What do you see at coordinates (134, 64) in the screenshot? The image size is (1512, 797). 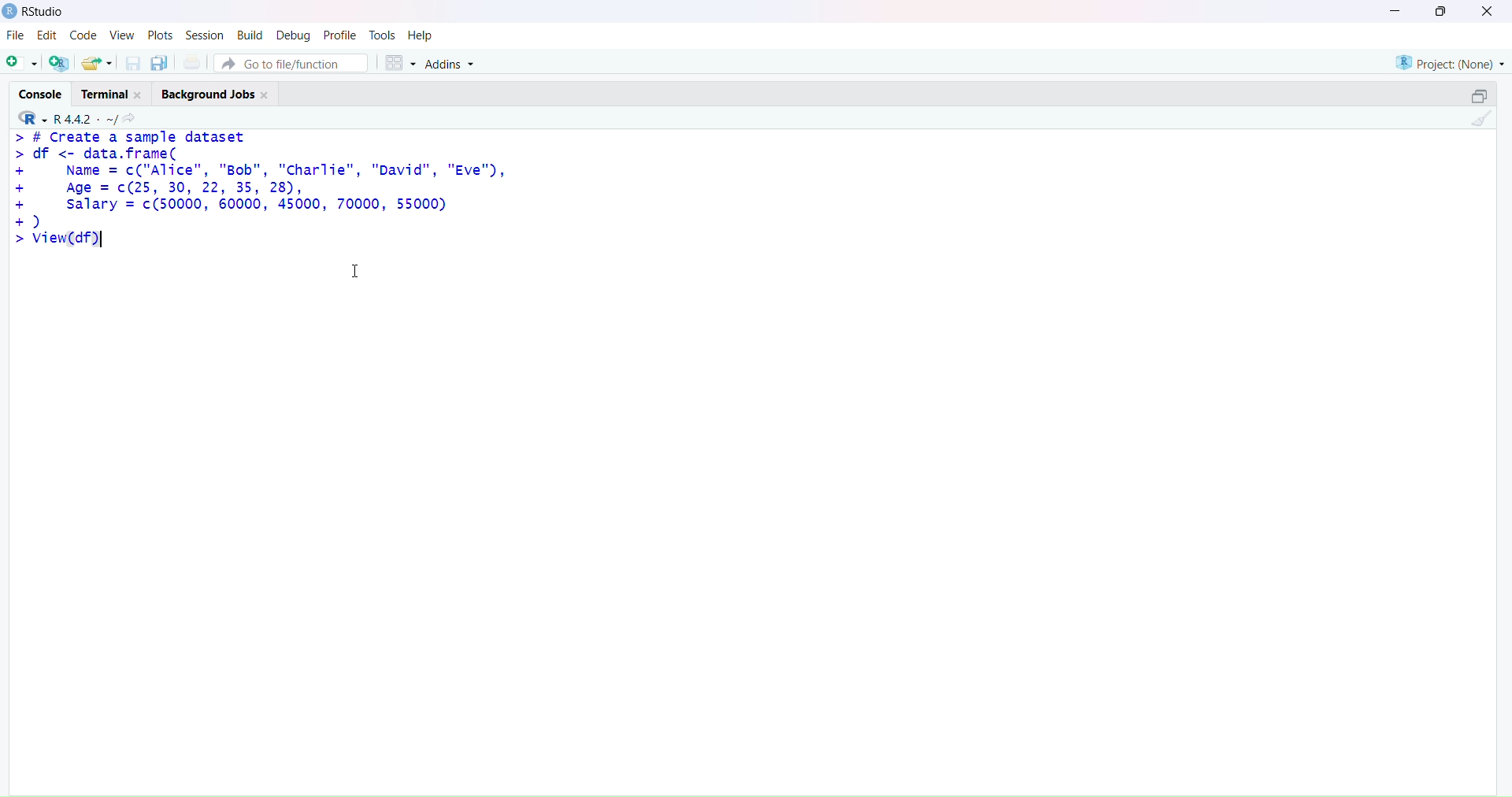 I see `save current documents` at bounding box center [134, 64].